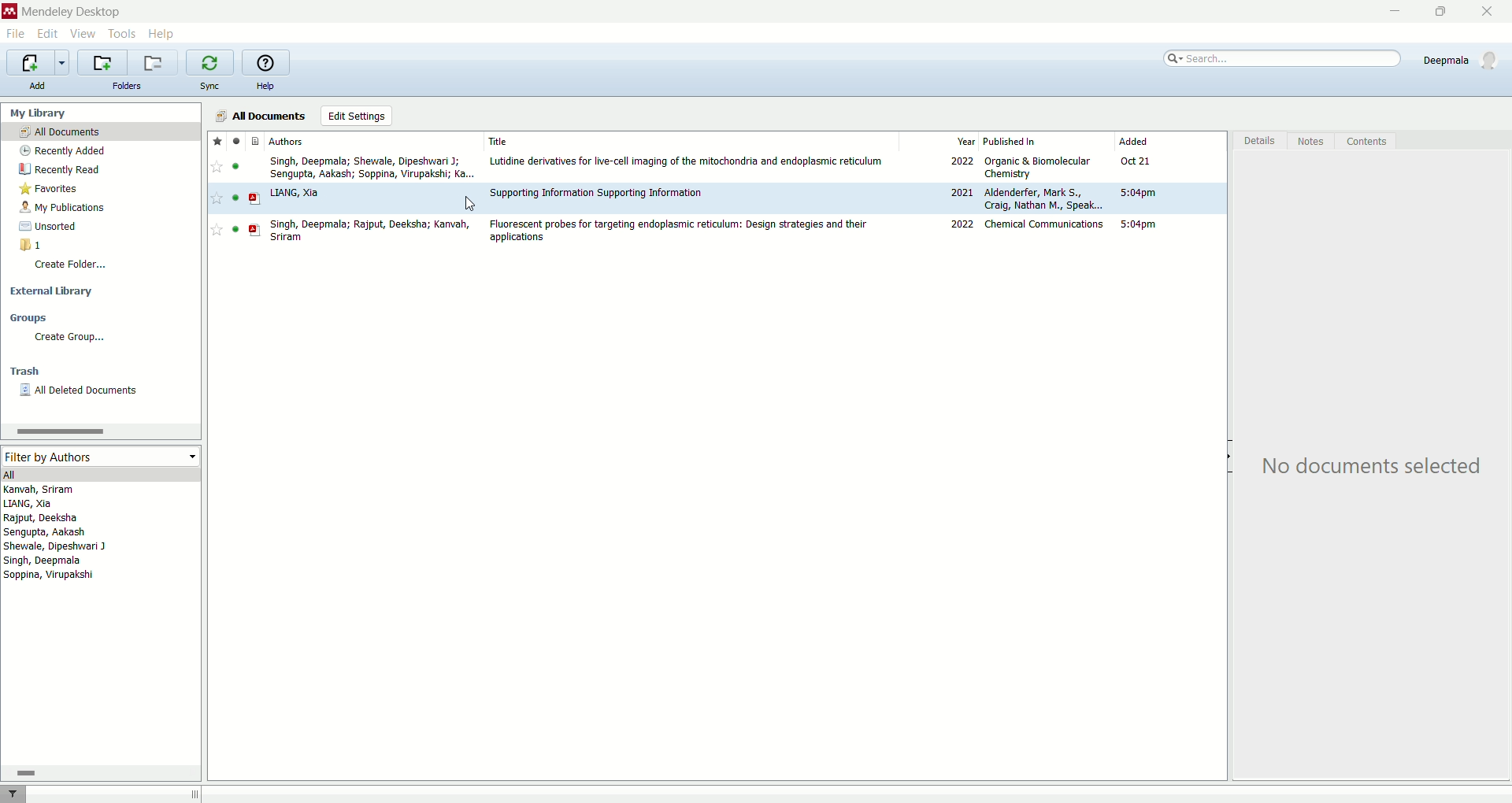  I want to click on all deleted documents, so click(87, 391).